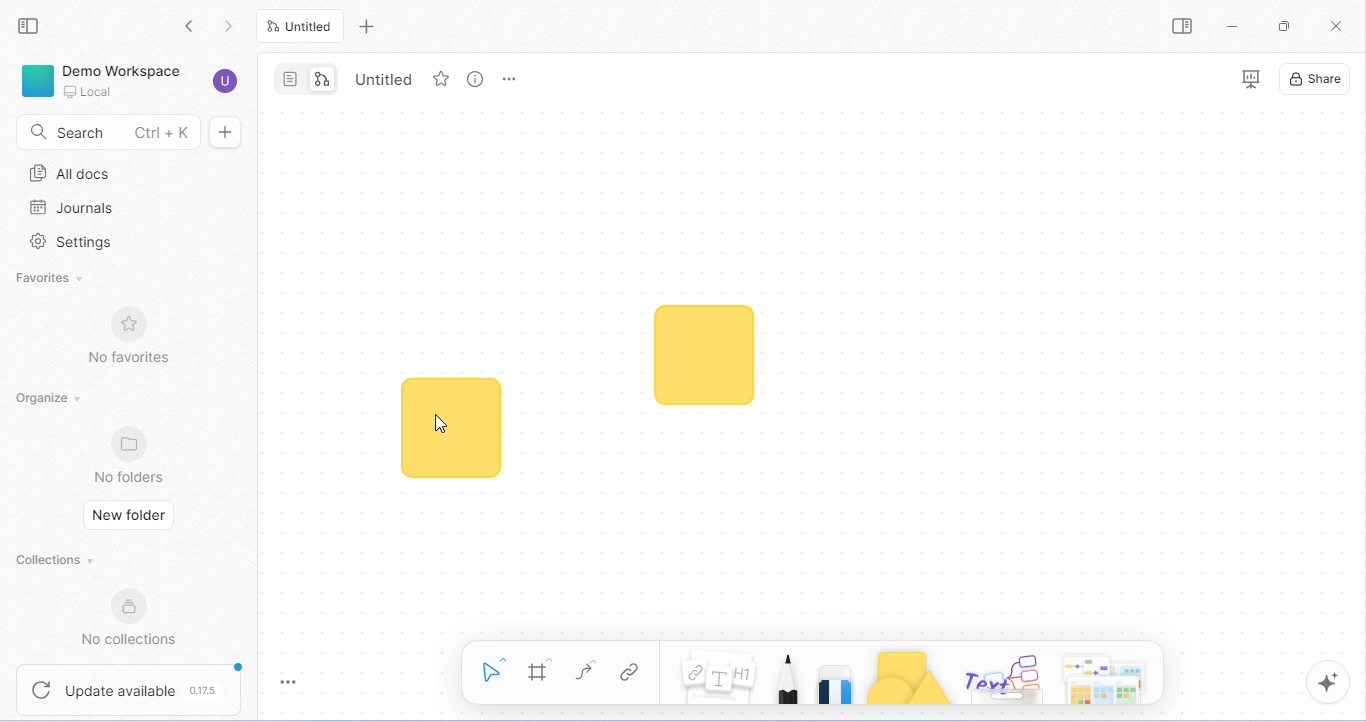 This screenshot has height=722, width=1366. Describe the element at coordinates (29, 26) in the screenshot. I see `collapse` at that location.